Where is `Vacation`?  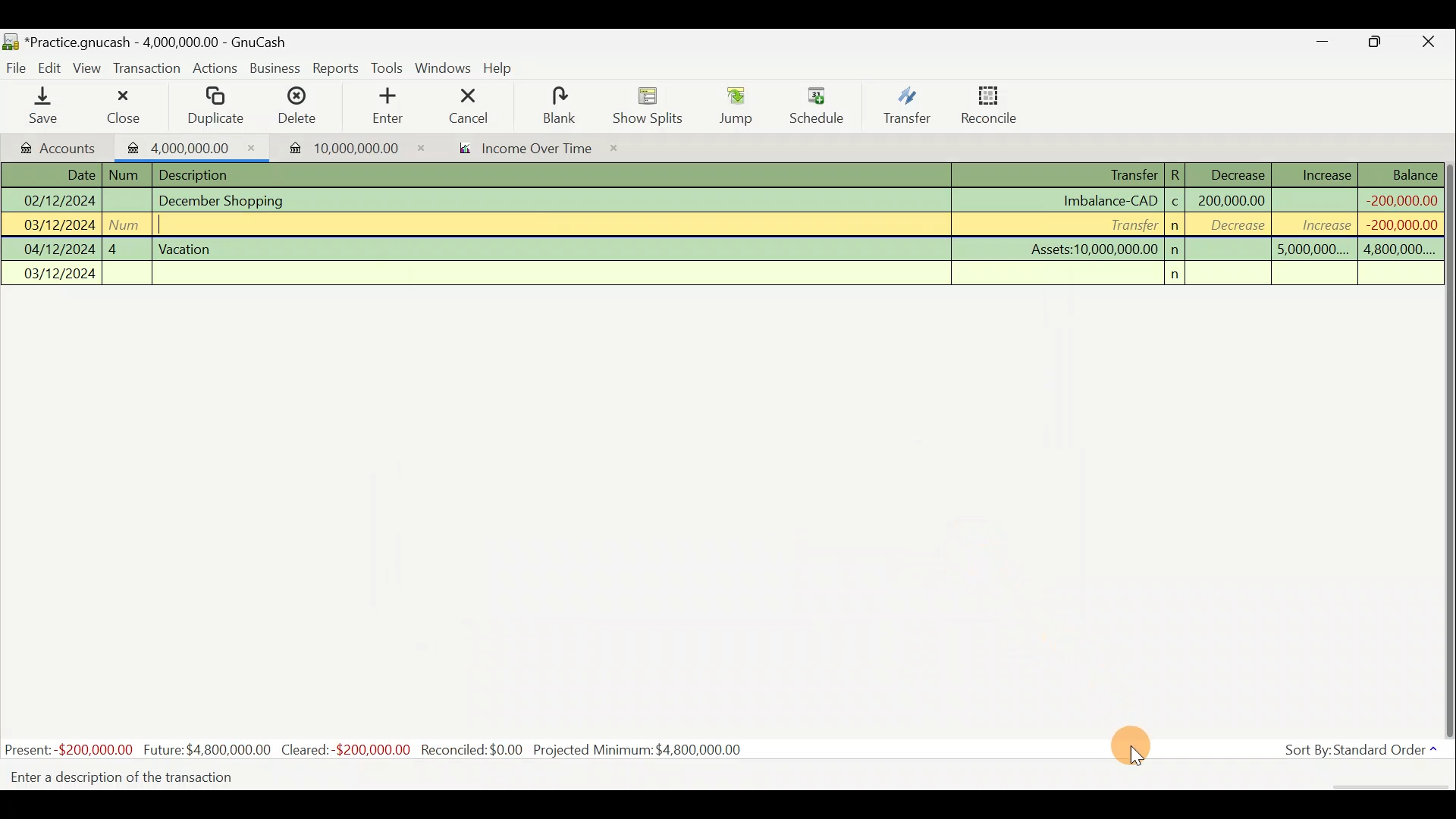
Vacation is located at coordinates (187, 247).